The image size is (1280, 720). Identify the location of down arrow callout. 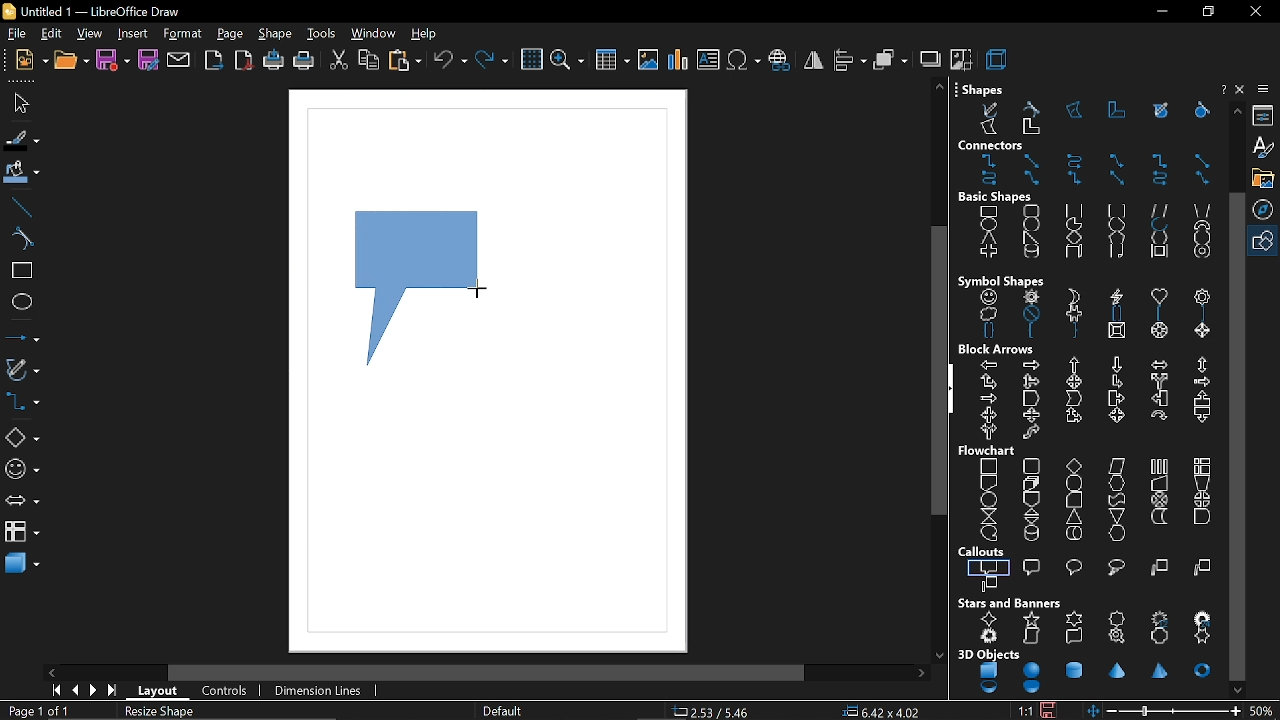
(1200, 417).